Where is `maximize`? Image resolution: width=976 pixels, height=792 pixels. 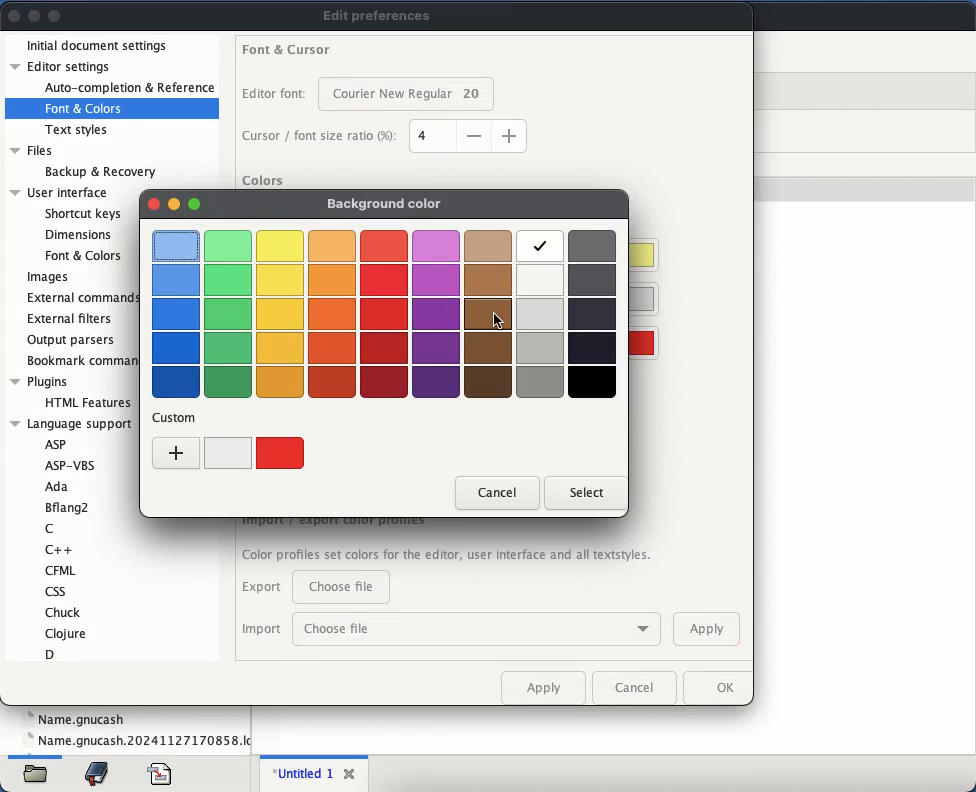 maximize is located at coordinates (55, 17).